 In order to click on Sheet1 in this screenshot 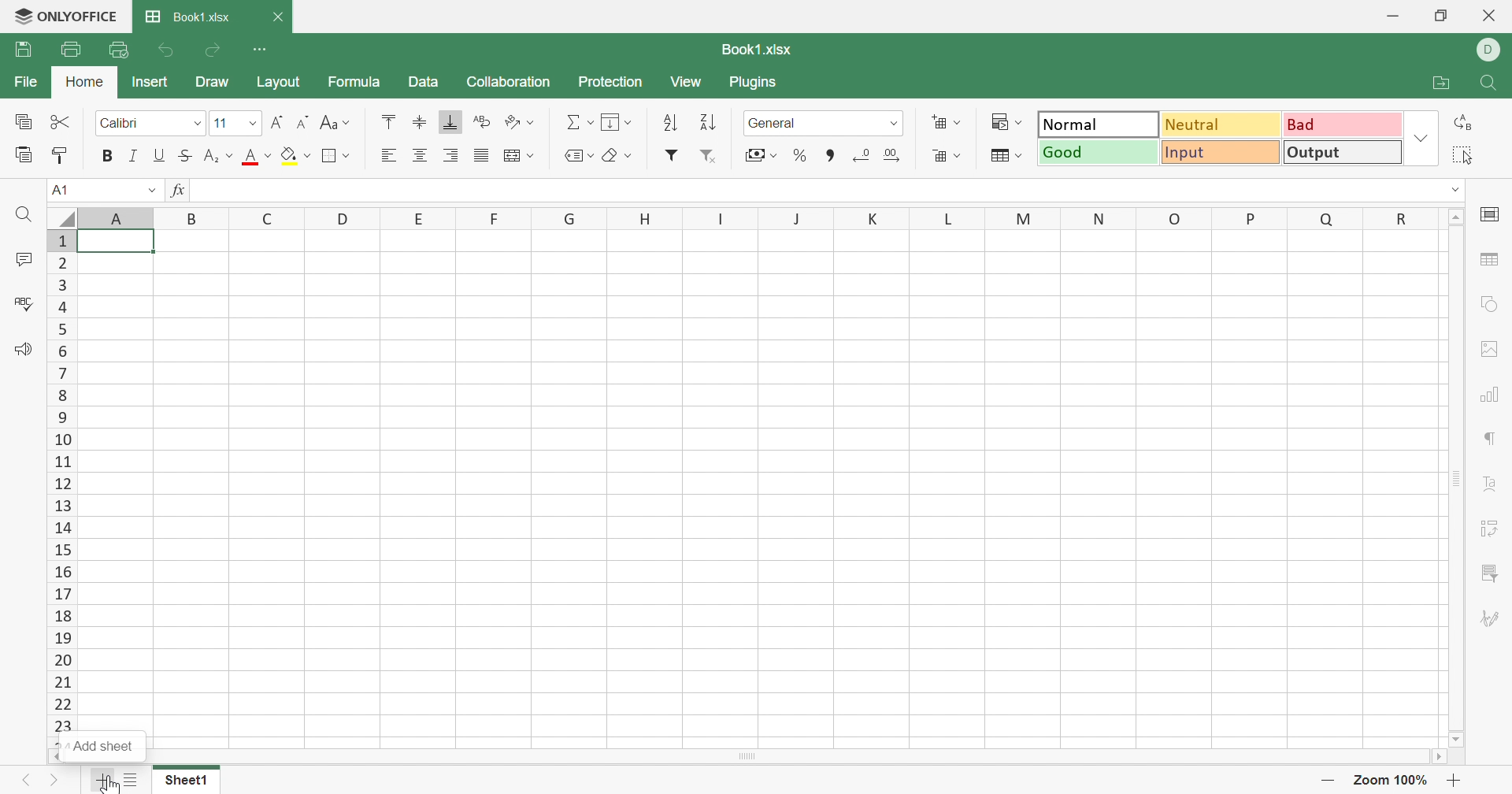, I will do `click(187, 781)`.